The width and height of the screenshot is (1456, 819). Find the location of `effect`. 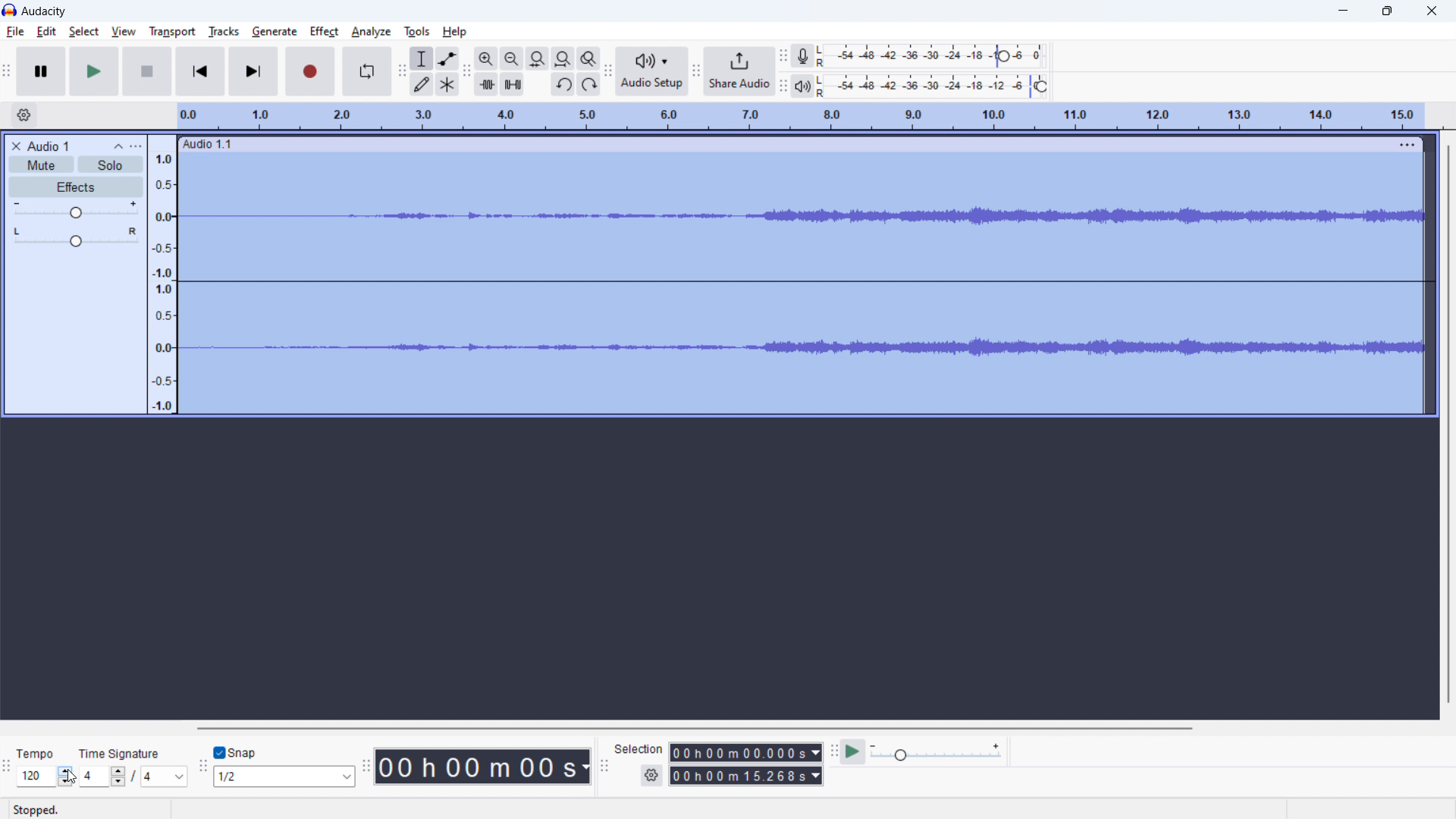

effect is located at coordinates (325, 32).